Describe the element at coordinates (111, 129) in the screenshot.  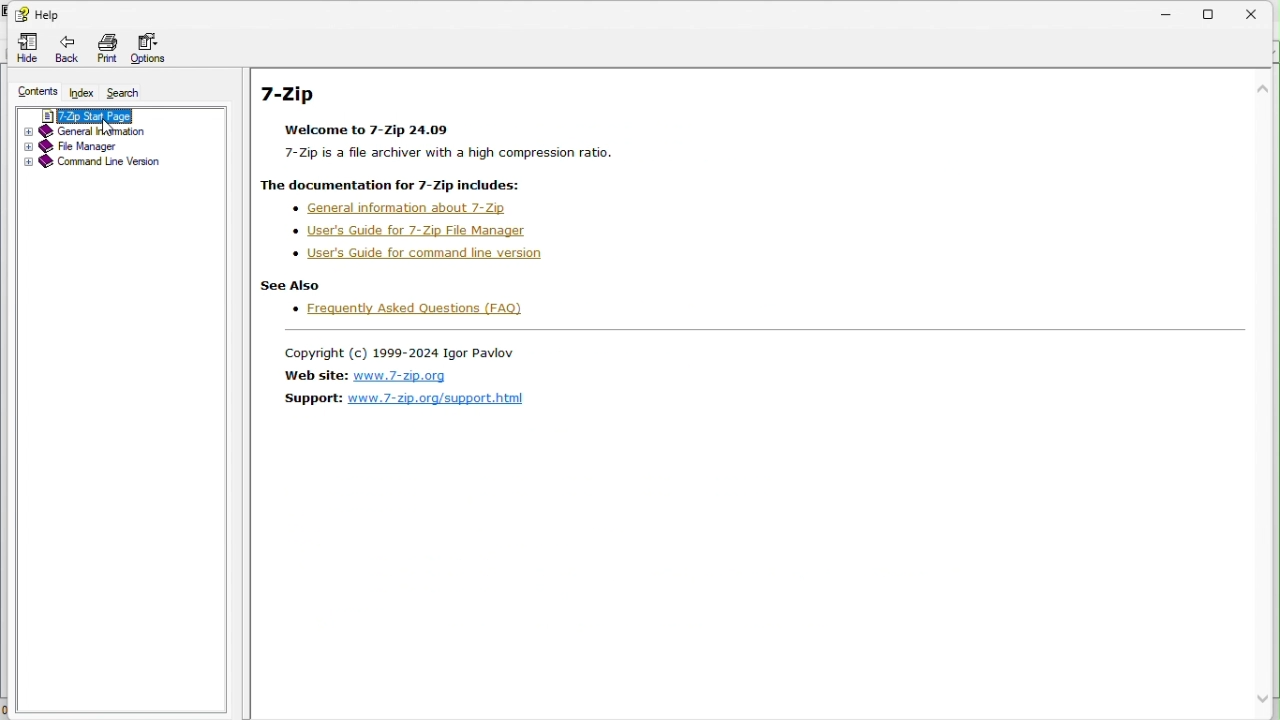
I see `cursor` at that location.